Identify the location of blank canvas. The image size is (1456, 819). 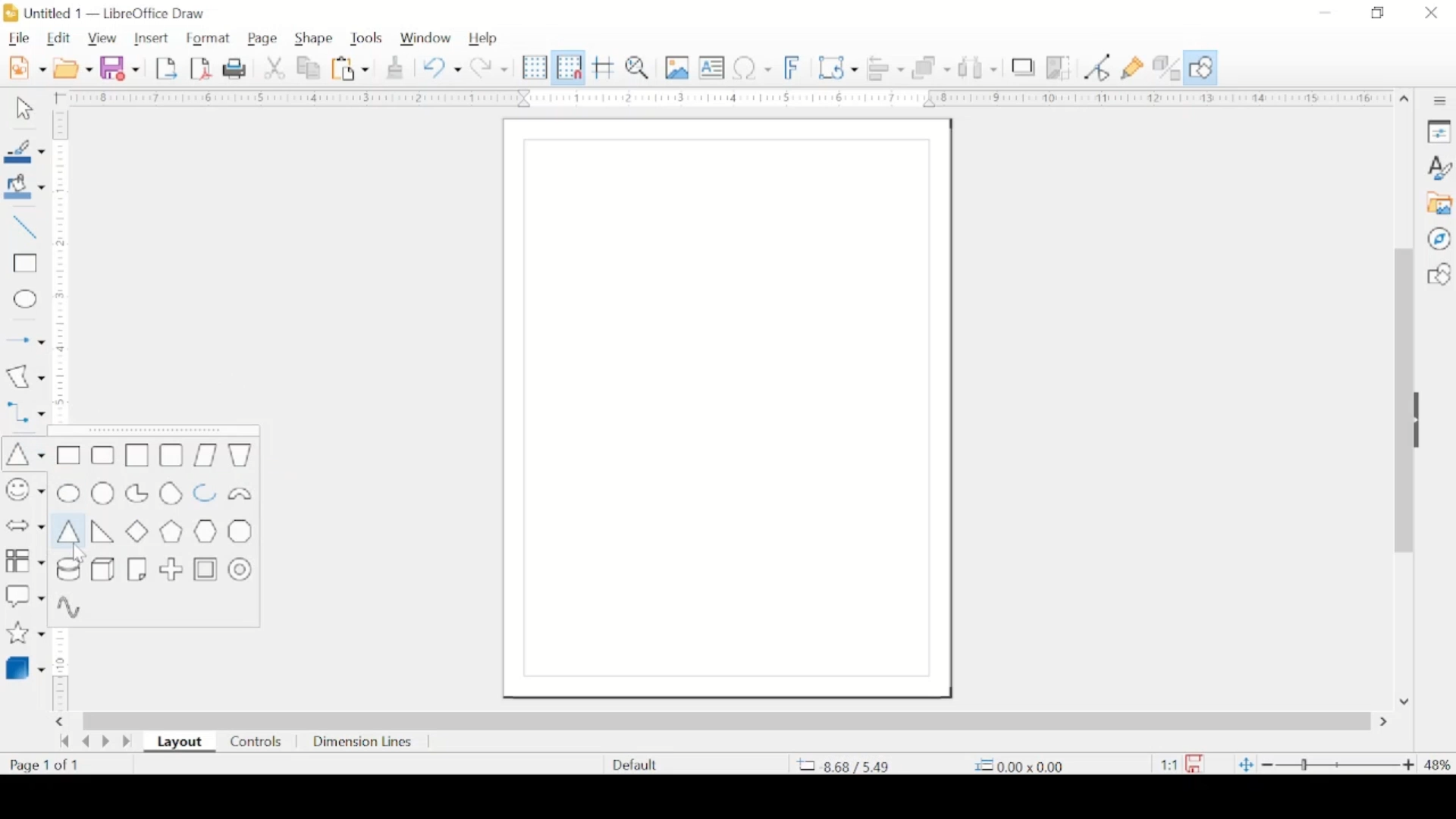
(726, 409).